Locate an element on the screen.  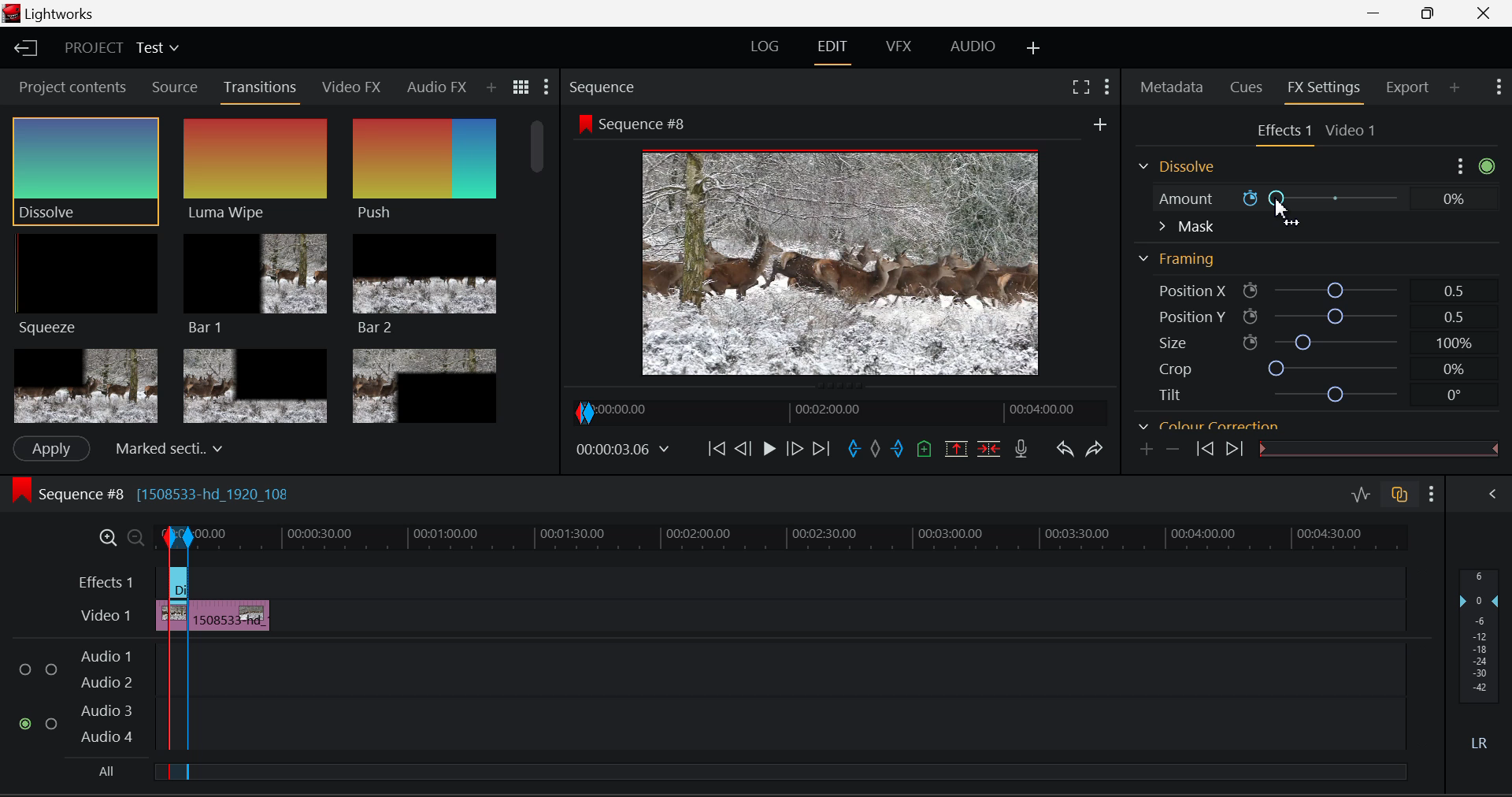
Size is located at coordinates (1307, 343).